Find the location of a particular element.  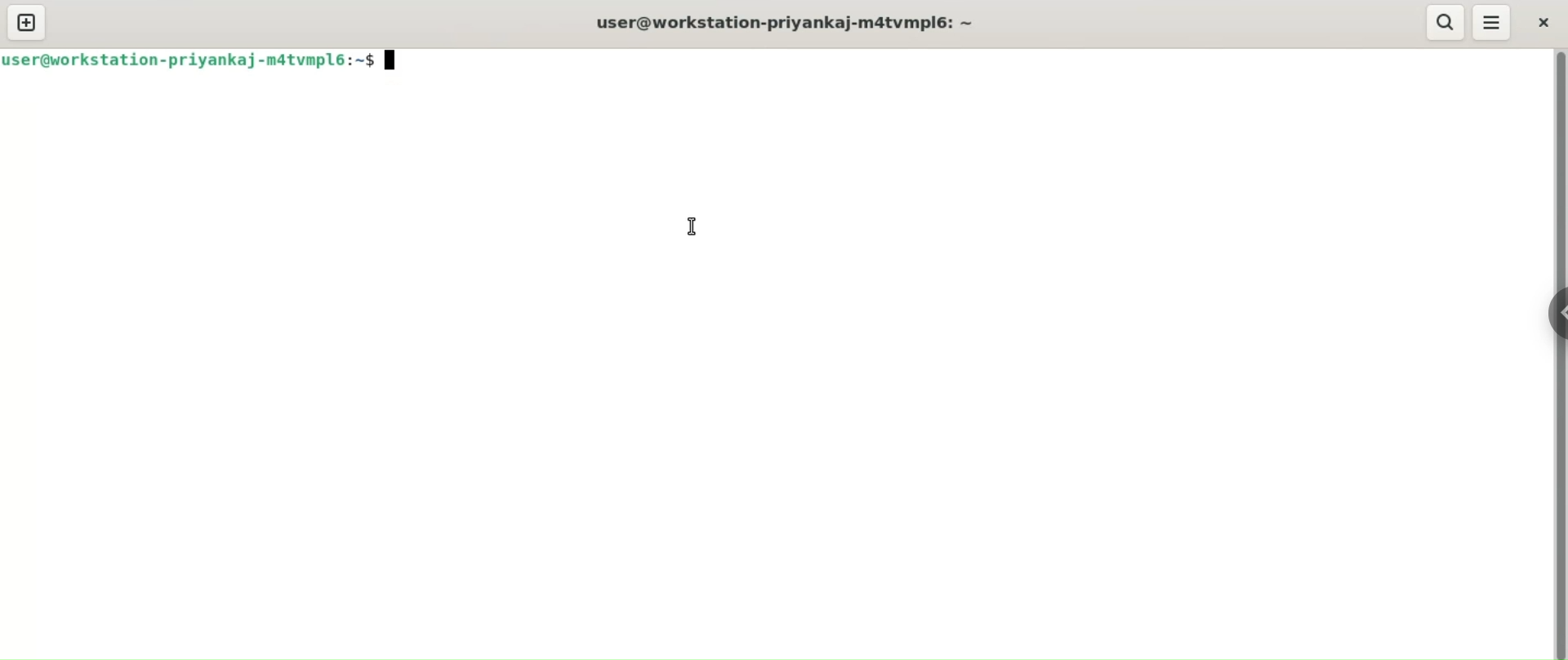

cursor is located at coordinates (688, 227).